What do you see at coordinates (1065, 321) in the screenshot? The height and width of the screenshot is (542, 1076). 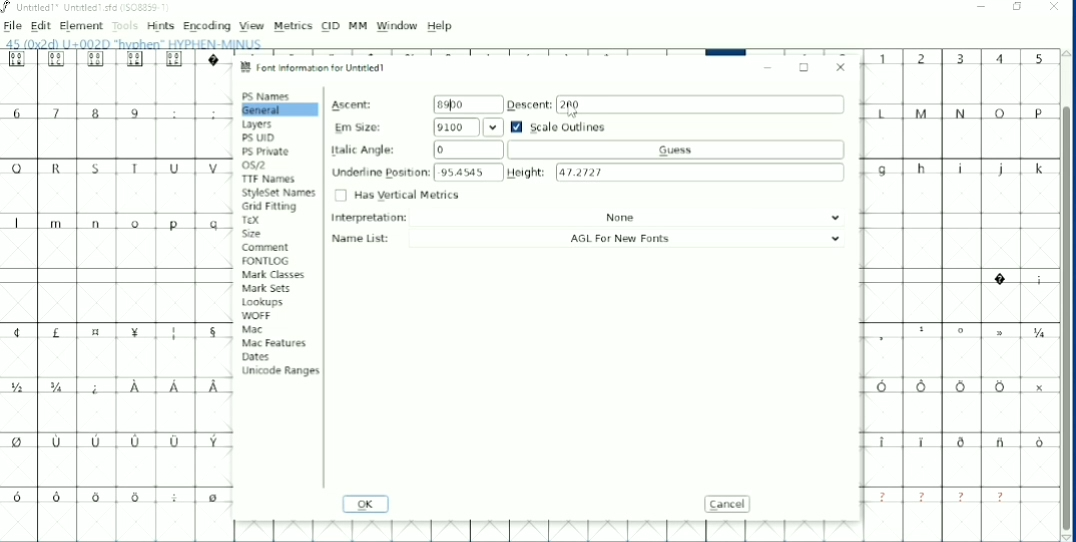 I see `Vertical scrollbar` at bounding box center [1065, 321].